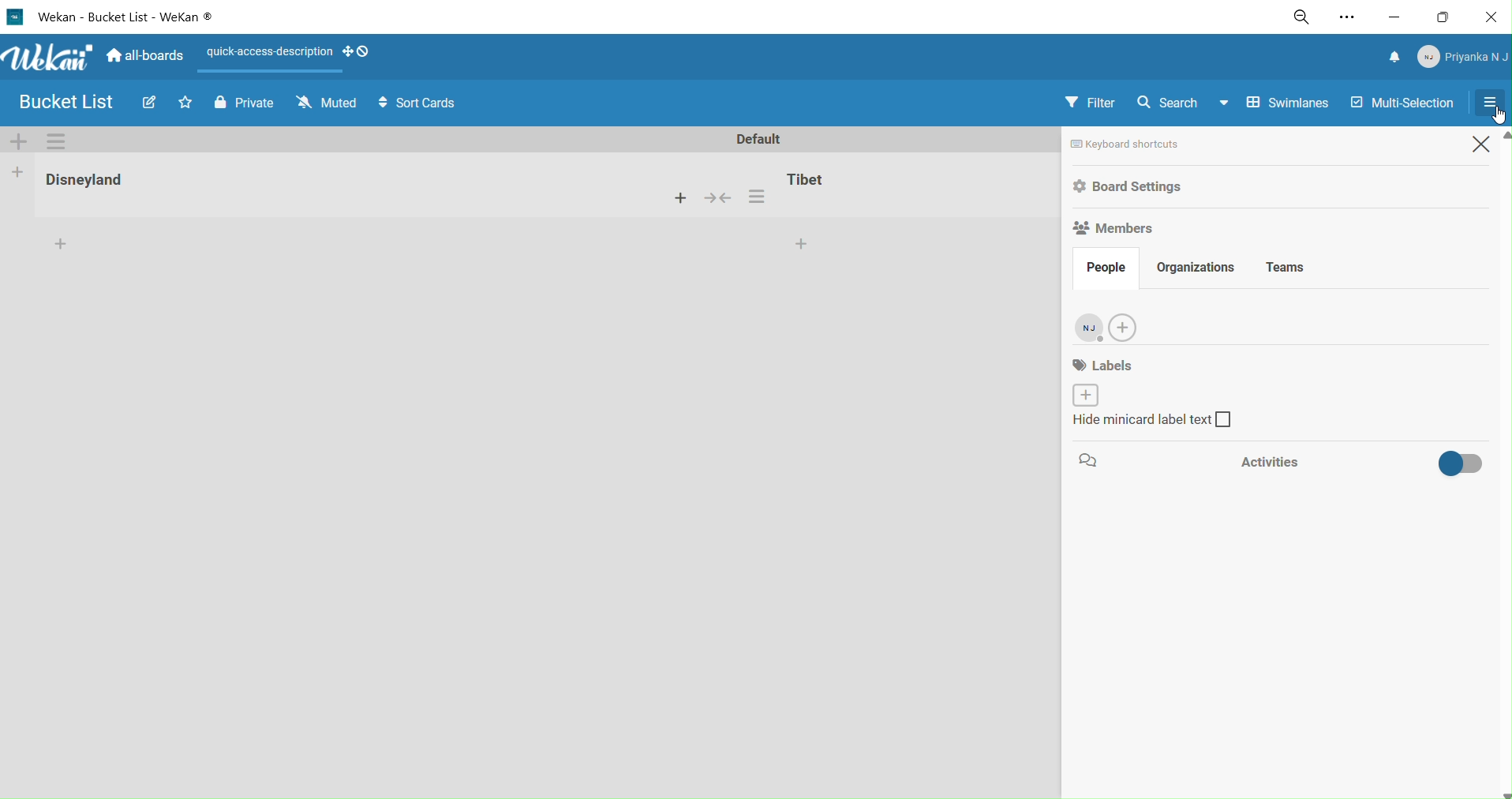 The width and height of the screenshot is (1512, 799). What do you see at coordinates (269, 54) in the screenshot?
I see `quick access description` at bounding box center [269, 54].